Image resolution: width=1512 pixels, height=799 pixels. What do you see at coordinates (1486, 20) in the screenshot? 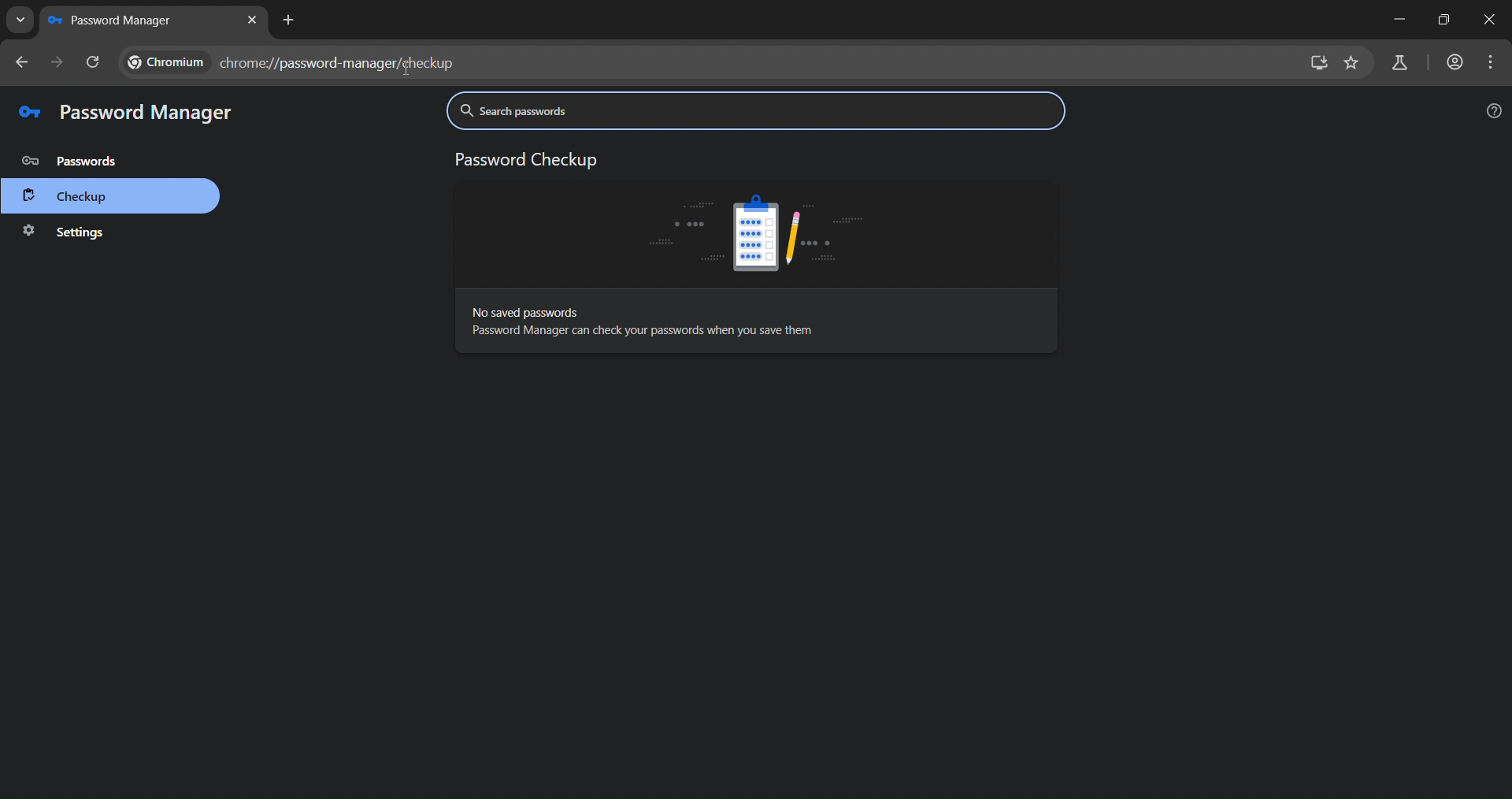
I see `close` at bounding box center [1486, 20].